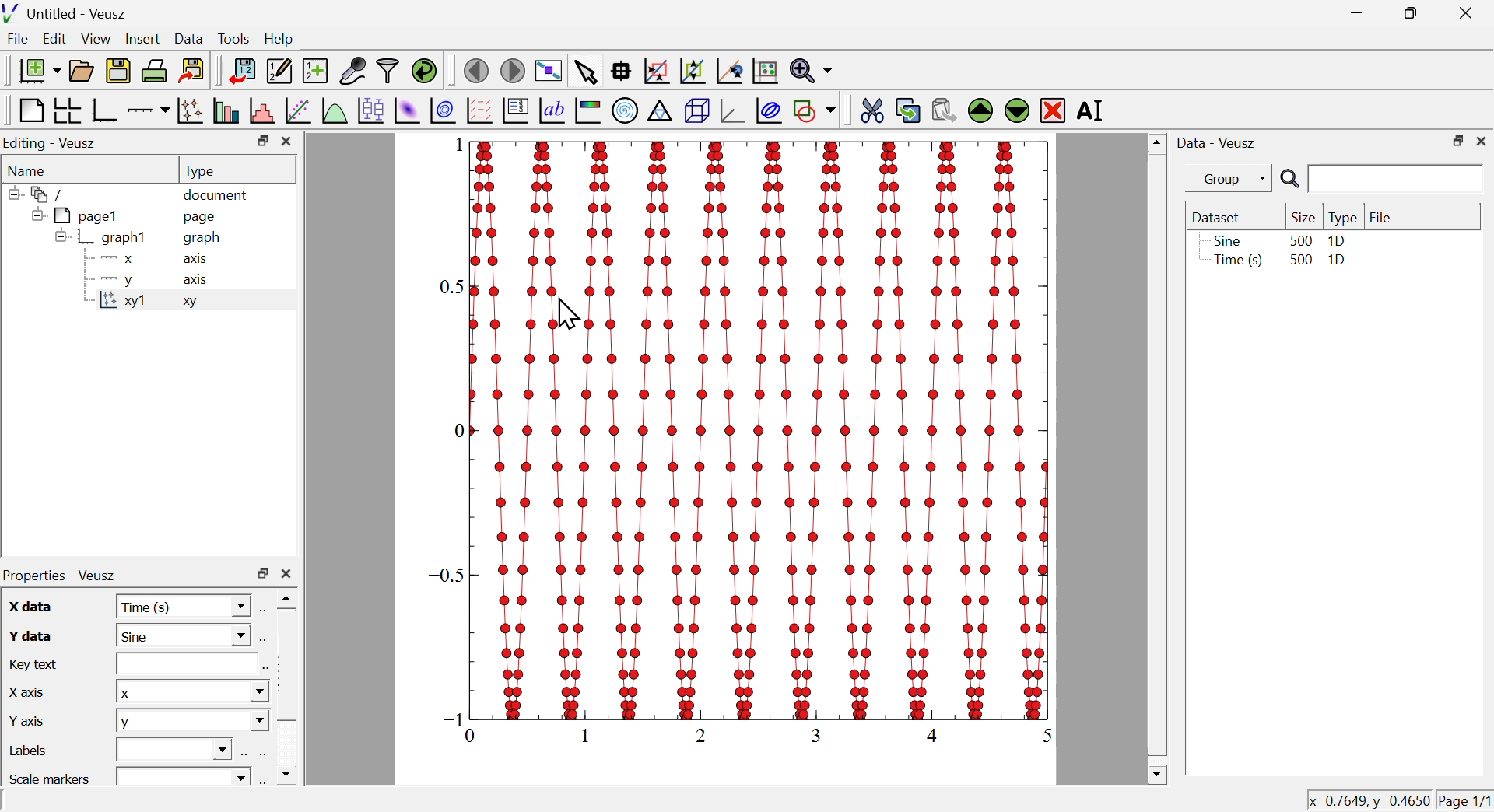  I want to click on Data, so click(189, 37).